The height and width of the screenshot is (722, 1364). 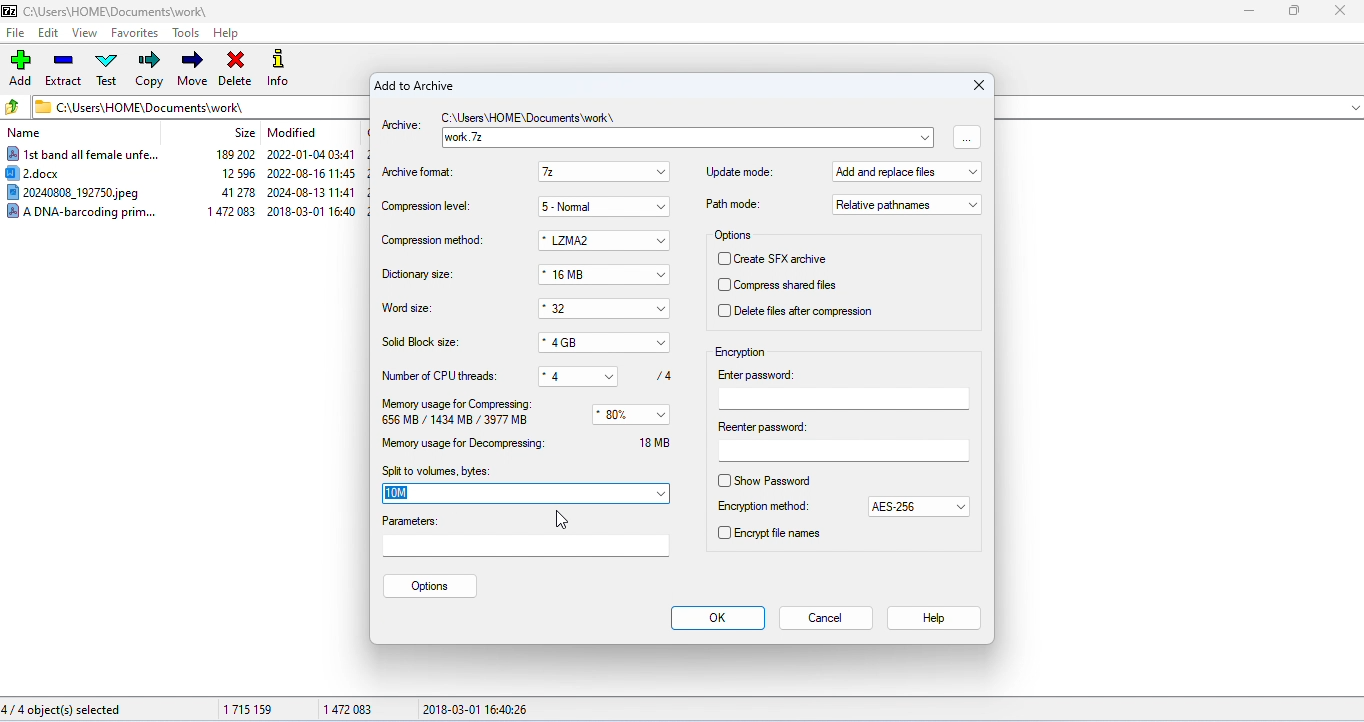 I want to click on drop down, so click(x=616, y=374).